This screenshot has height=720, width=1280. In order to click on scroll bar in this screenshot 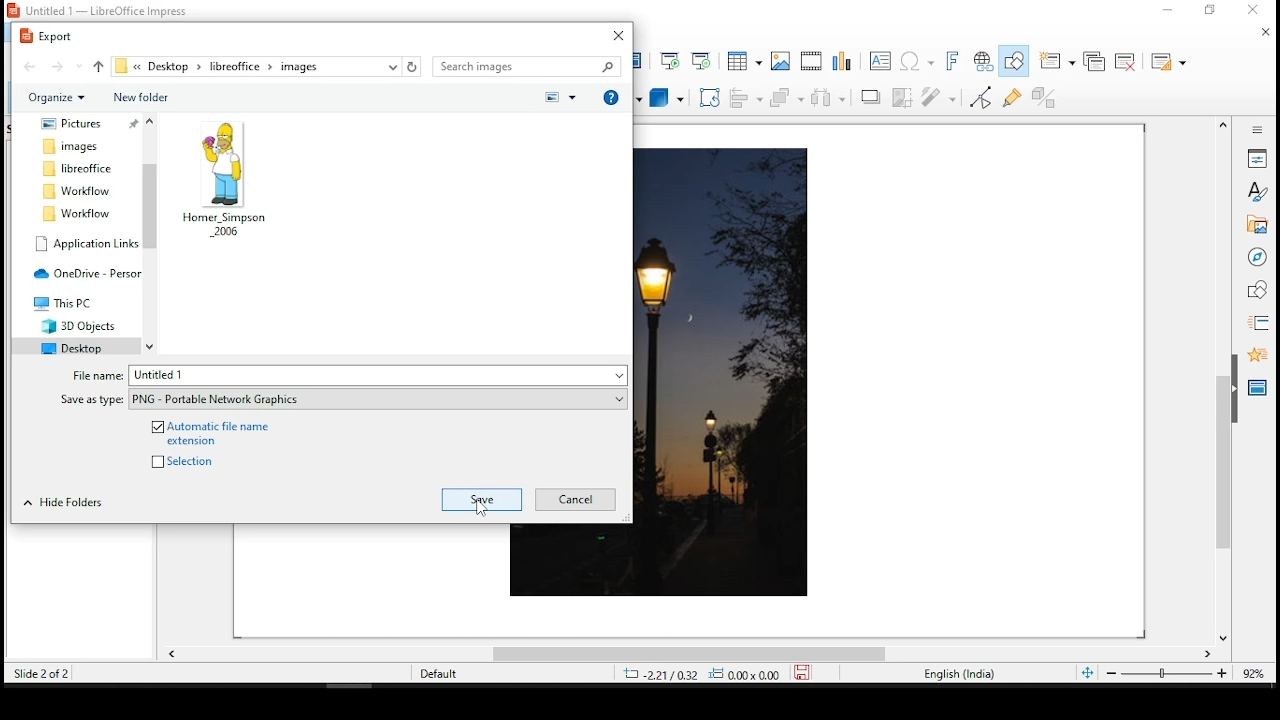, I will do `click(686, 657)`.